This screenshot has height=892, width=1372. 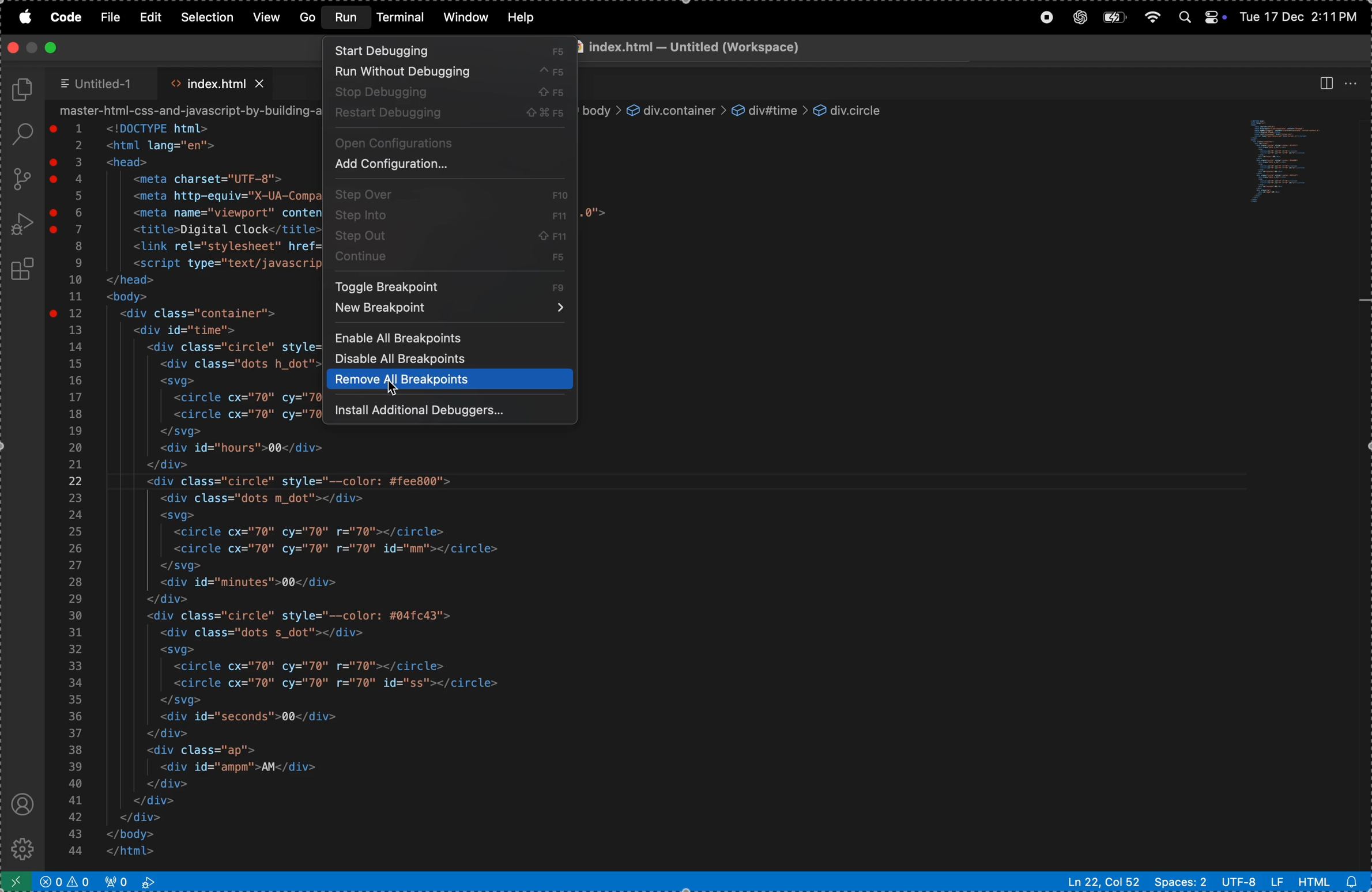 What do you see at coordinates (1045, 17) in the screenshot?
I see `record` at bounding box center [1045, 17].